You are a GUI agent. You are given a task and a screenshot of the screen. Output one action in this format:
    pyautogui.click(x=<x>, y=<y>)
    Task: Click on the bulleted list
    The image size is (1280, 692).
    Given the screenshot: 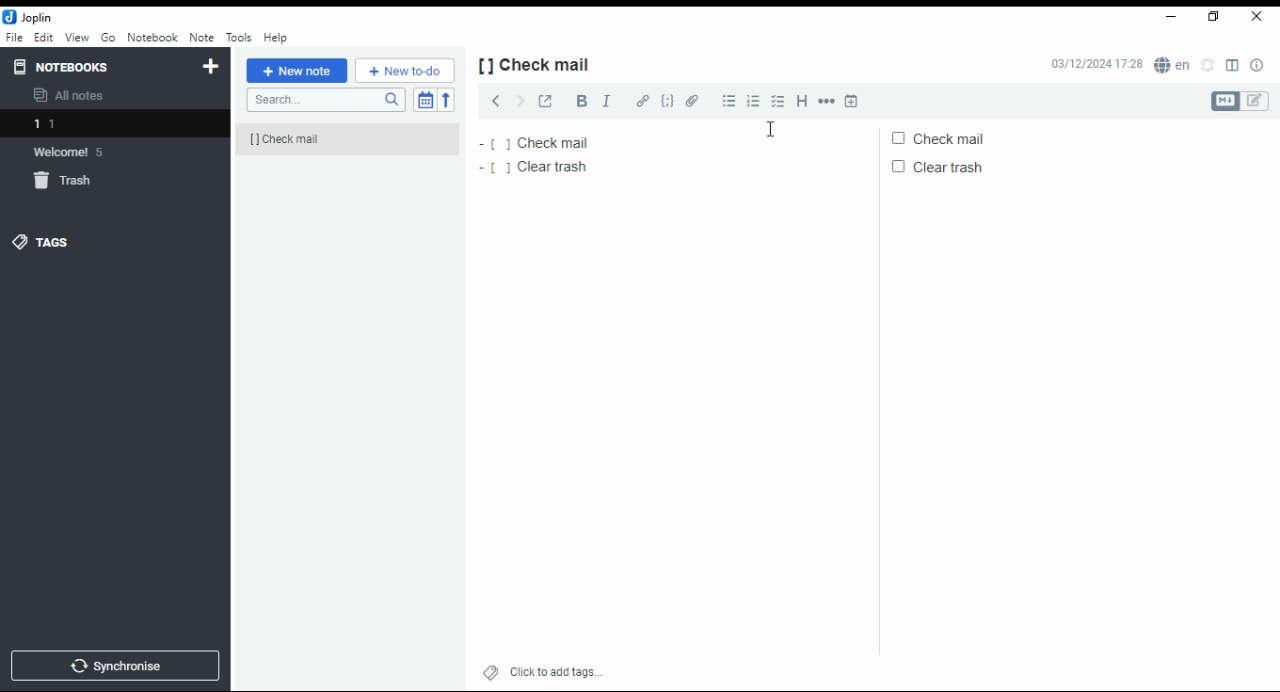 What is the action you would take?
    pyautogui.click(x=727, y=101)
    